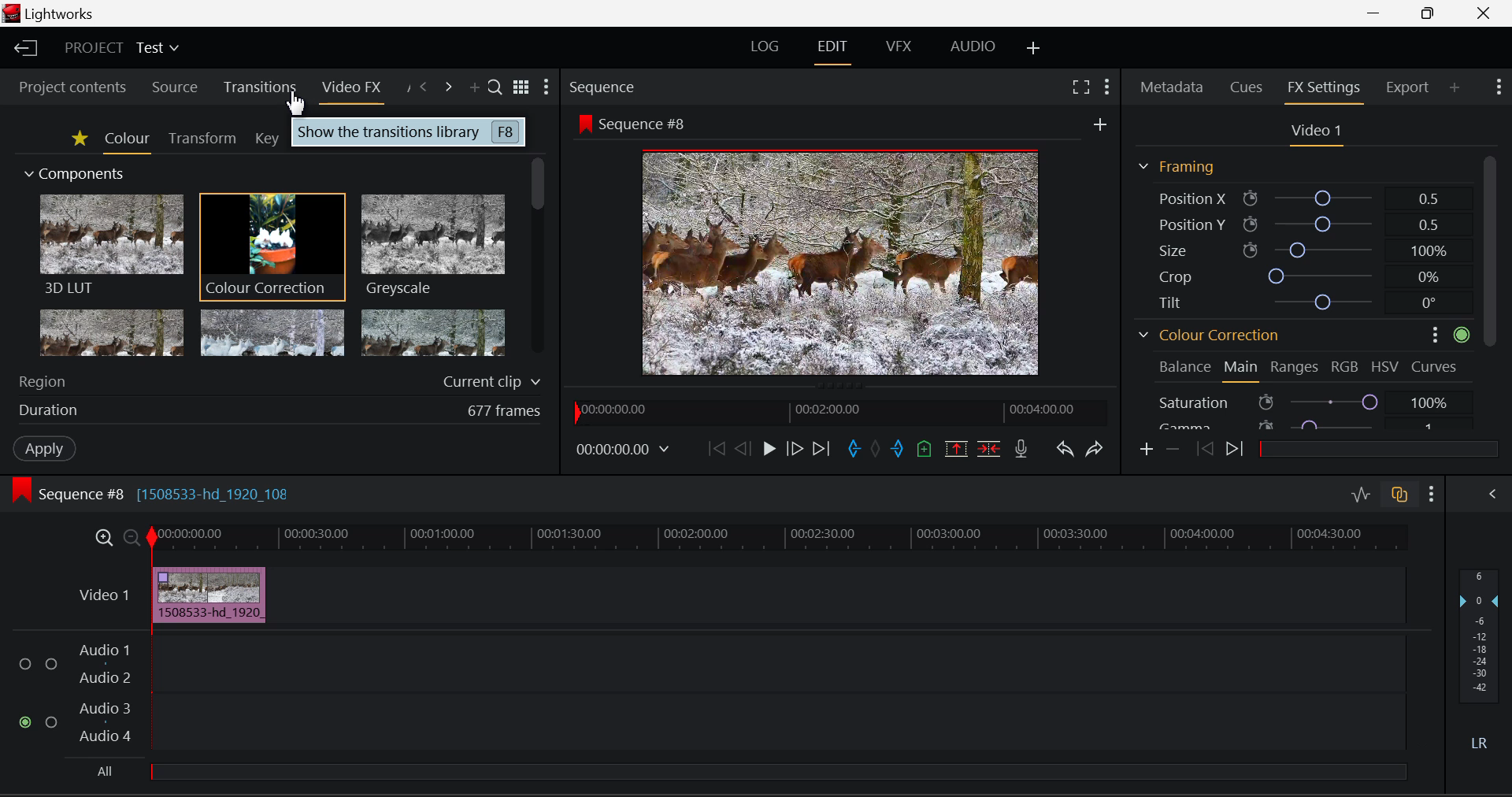  Describe the element at coordinates (105, 595) in the screenshot. I see `Video Layer` at that location.